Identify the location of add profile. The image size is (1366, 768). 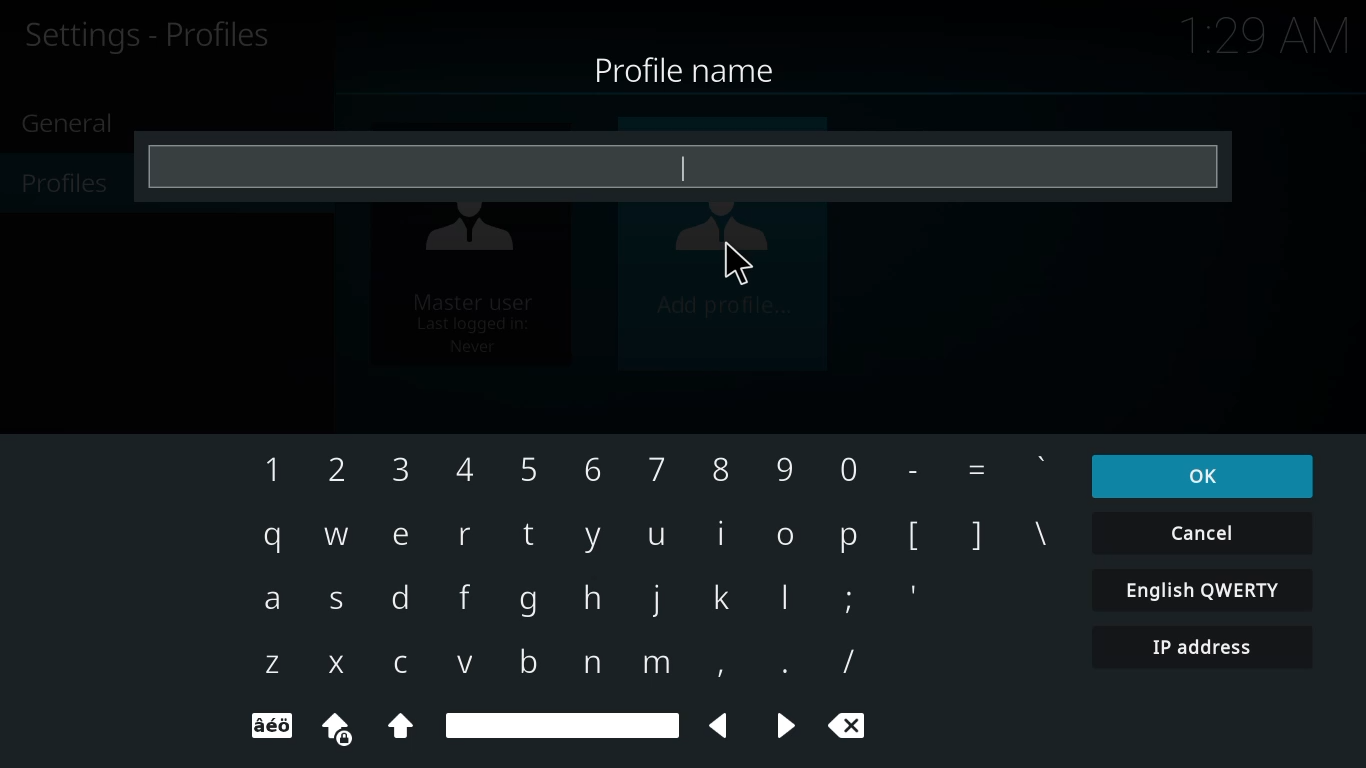
(726, 265).